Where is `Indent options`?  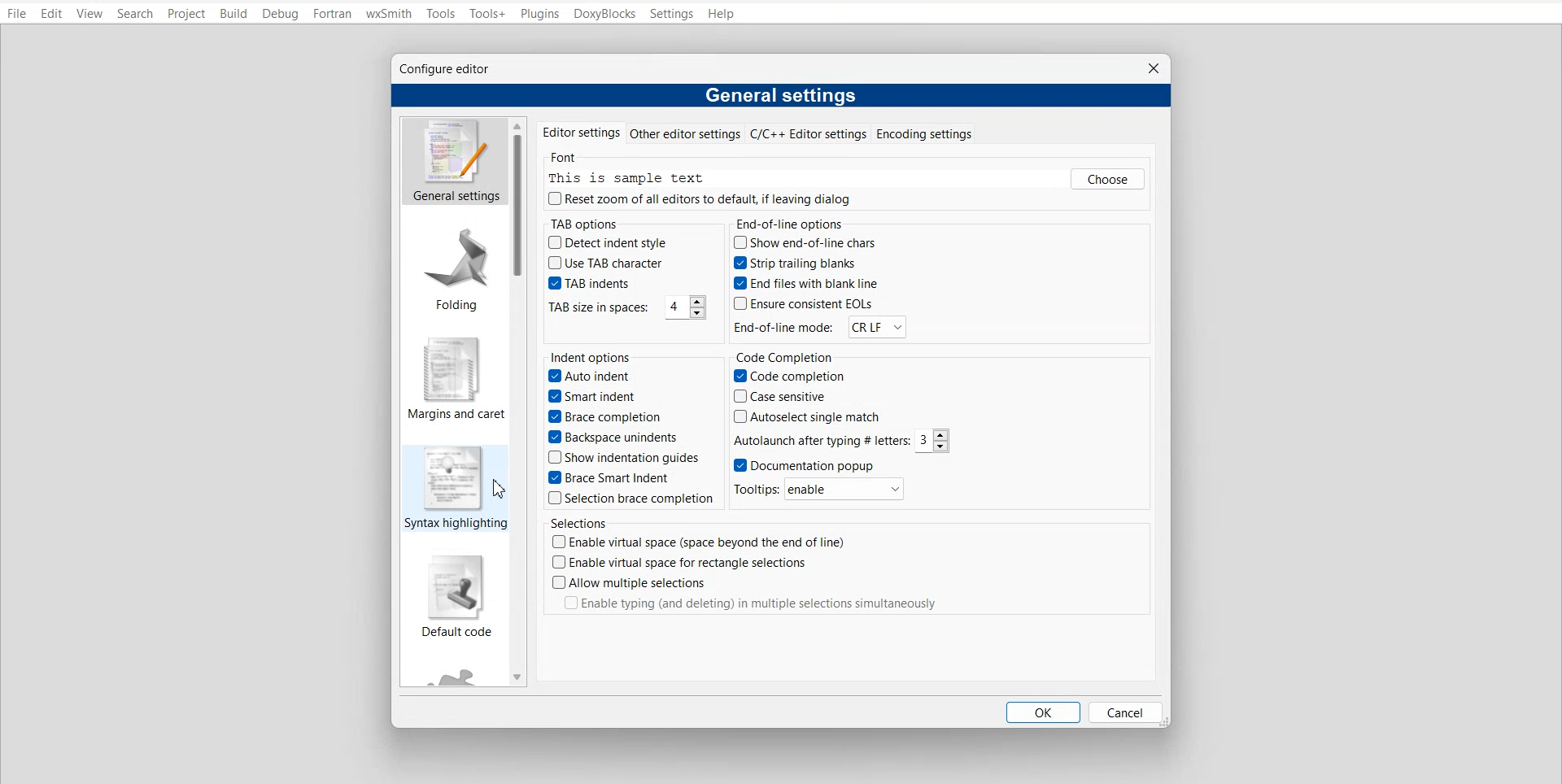 Indent options is located at coordinates (593, 357).